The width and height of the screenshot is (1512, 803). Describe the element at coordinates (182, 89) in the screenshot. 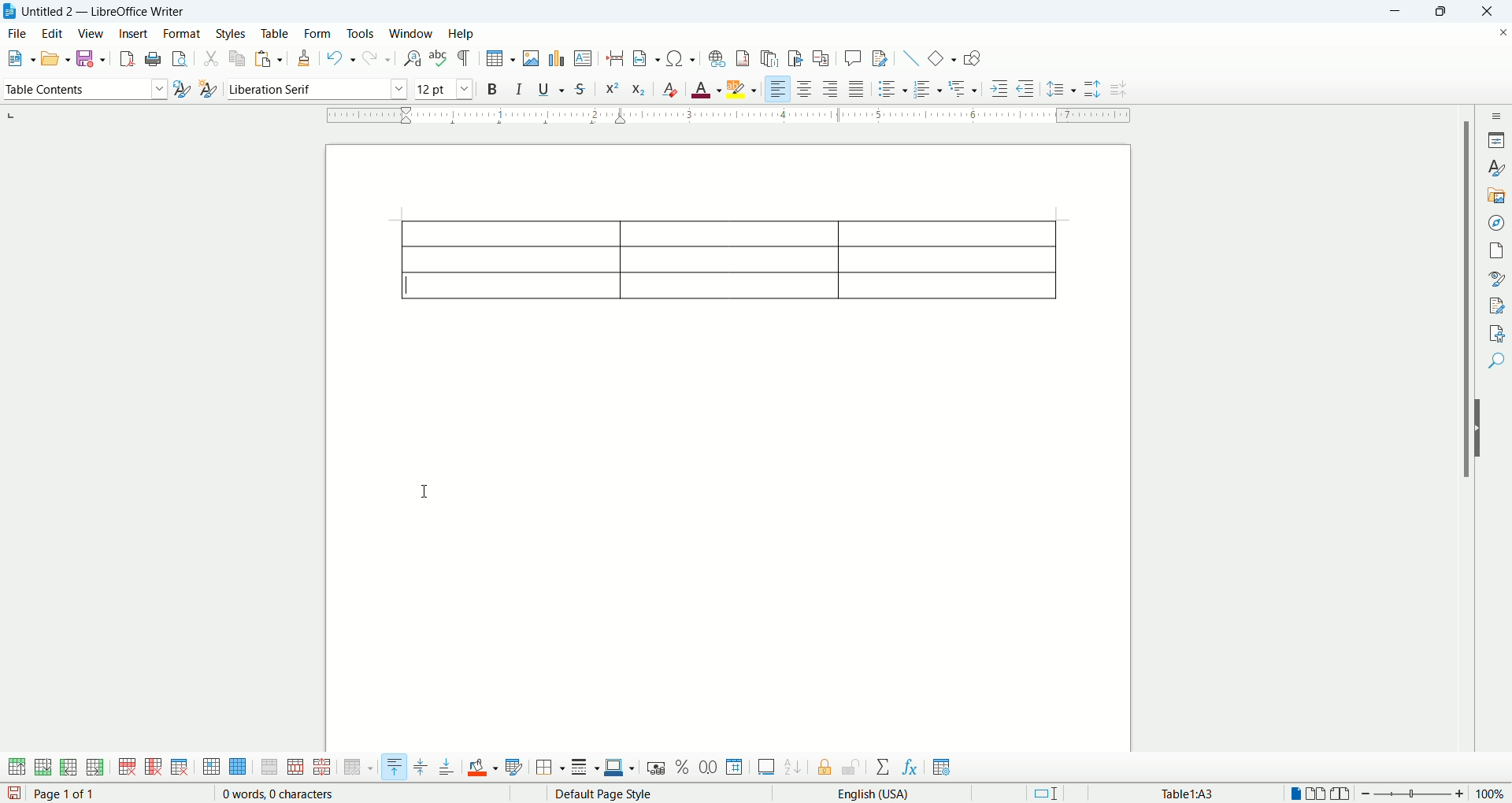

I see `update new style` at that location.